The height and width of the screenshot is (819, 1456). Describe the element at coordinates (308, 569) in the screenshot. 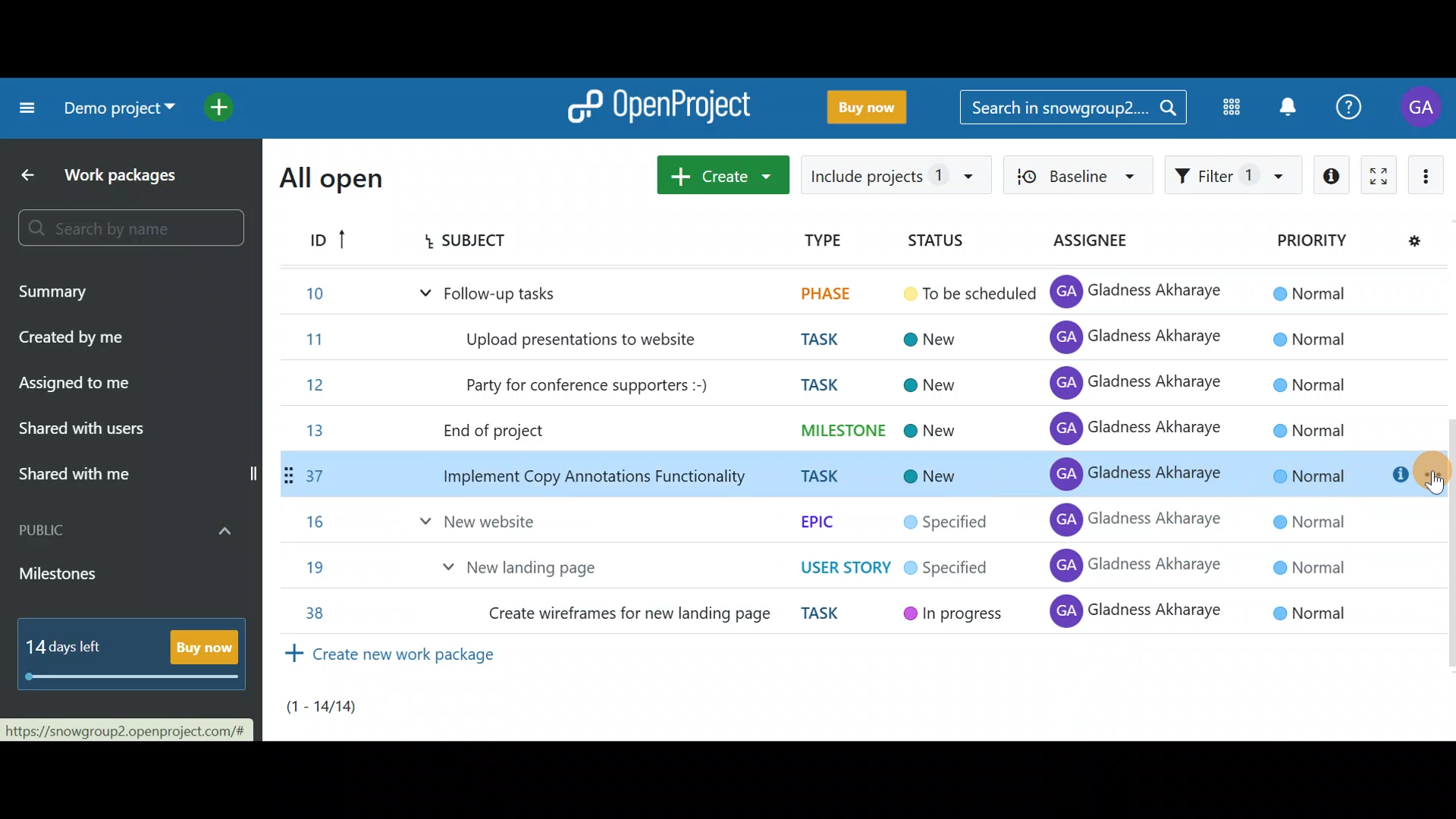

I see `19` at that location.